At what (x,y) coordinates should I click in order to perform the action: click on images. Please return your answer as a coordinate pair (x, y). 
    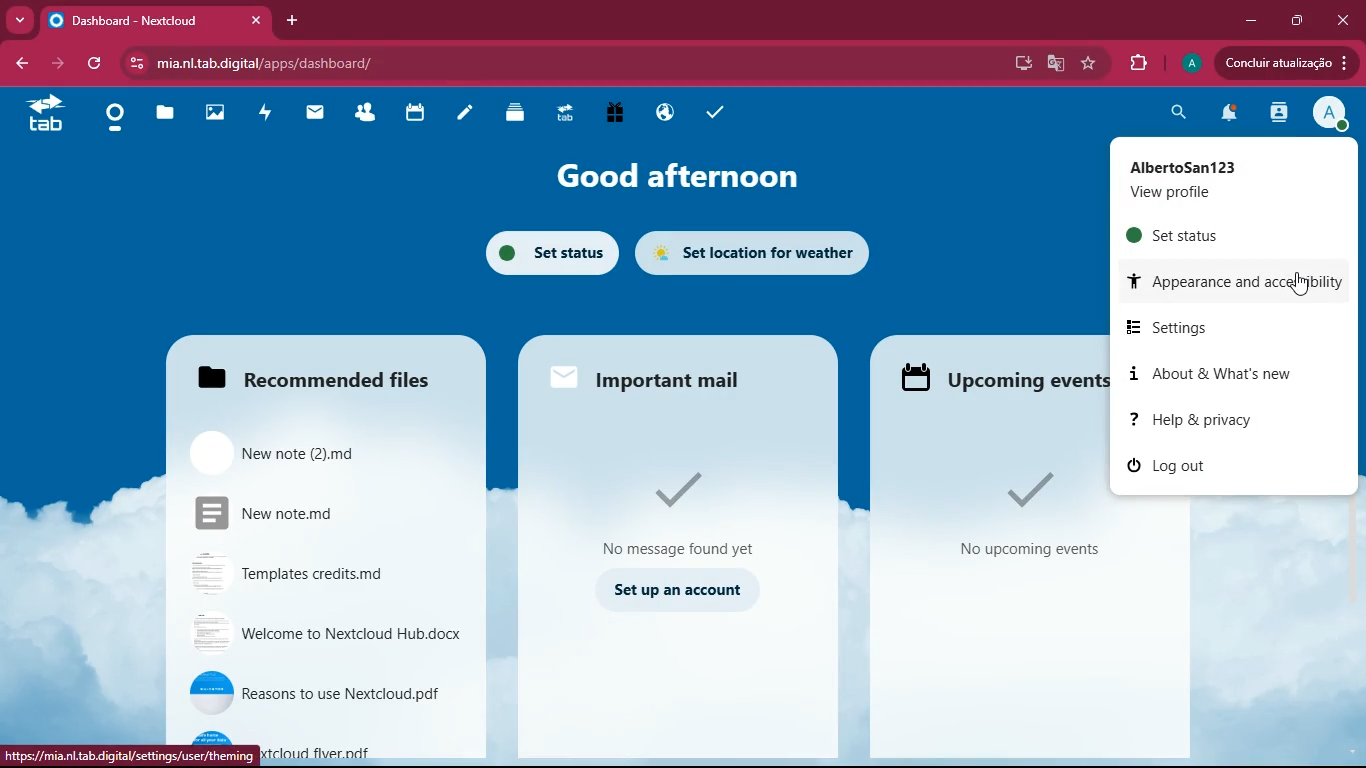
    Looking at the image, I should click on (213, 112).